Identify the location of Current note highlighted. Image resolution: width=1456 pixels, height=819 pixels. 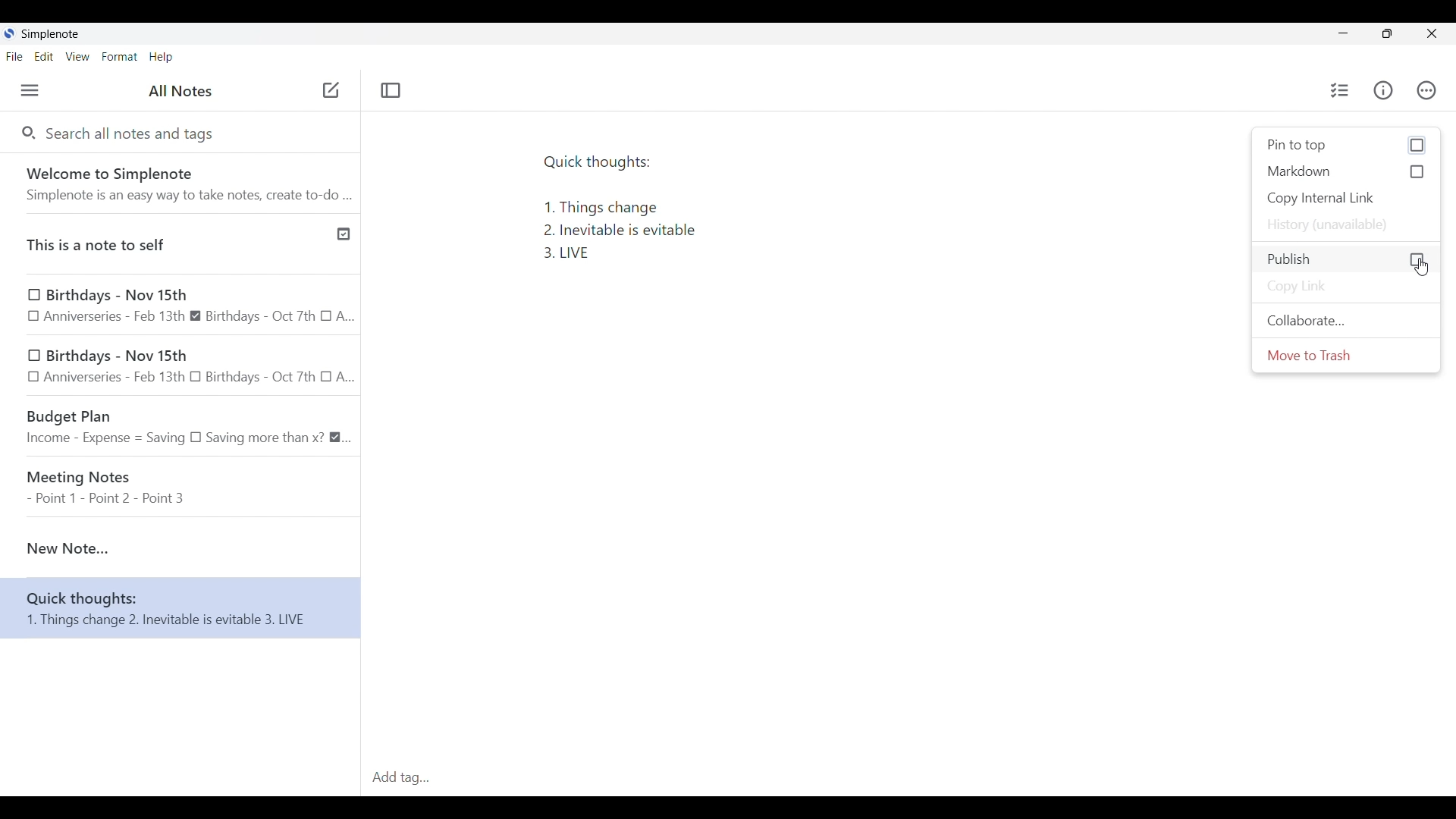
(179, 540).